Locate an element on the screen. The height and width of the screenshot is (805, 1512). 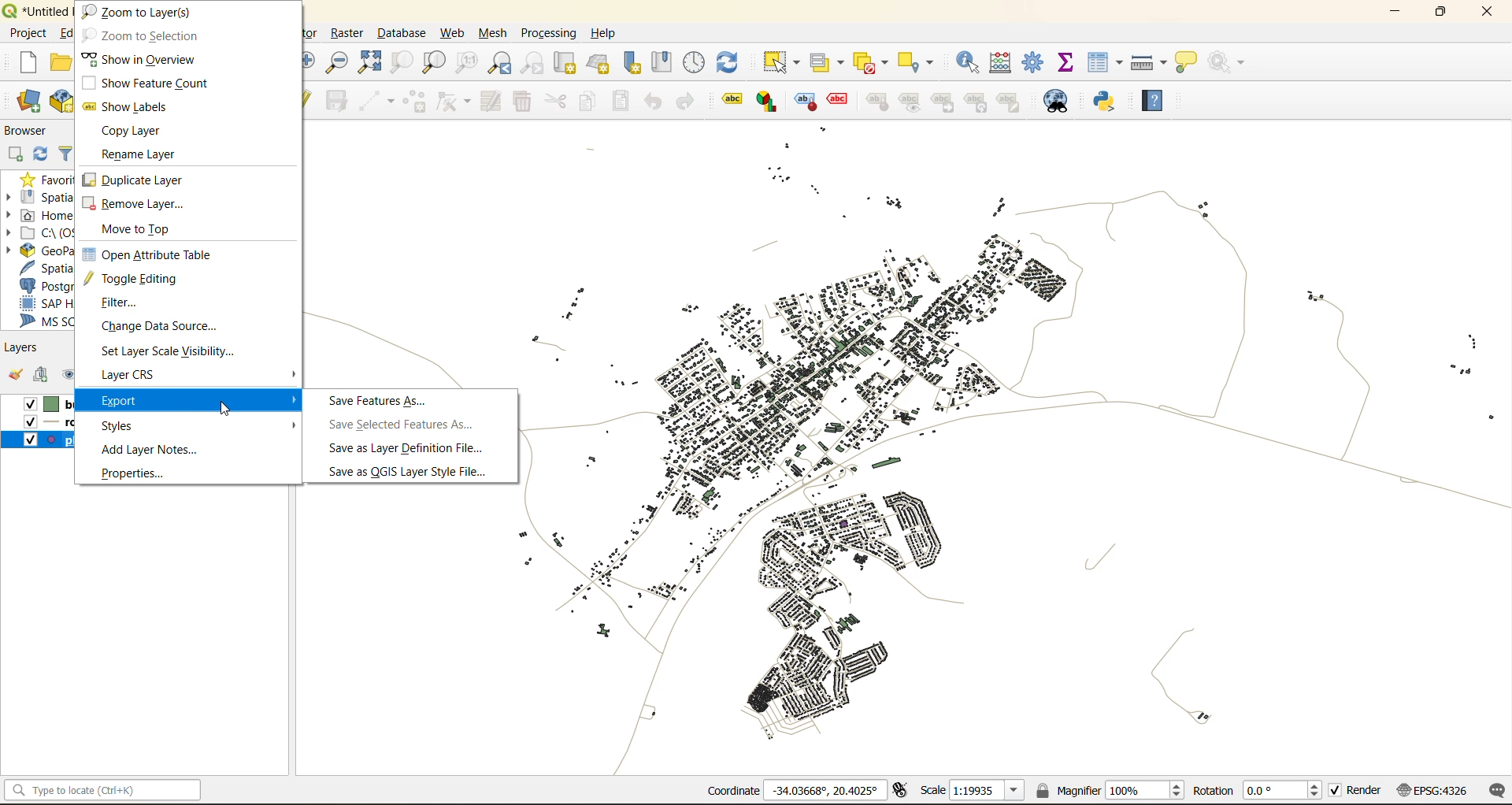
statistical summary is located at coordinates (1071, 63).